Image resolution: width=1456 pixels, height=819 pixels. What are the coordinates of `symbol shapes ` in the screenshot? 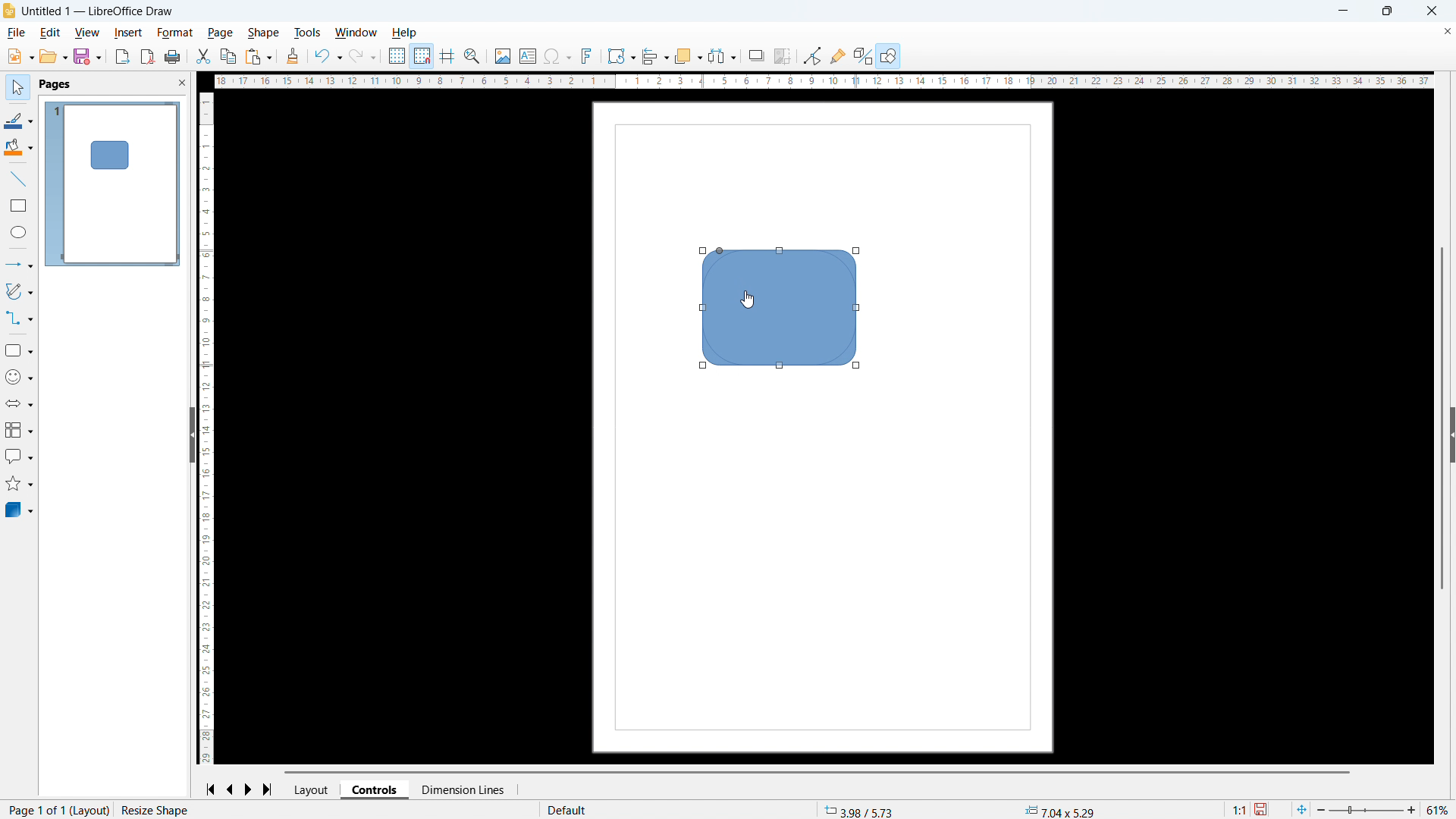 It's located at (18, 378).